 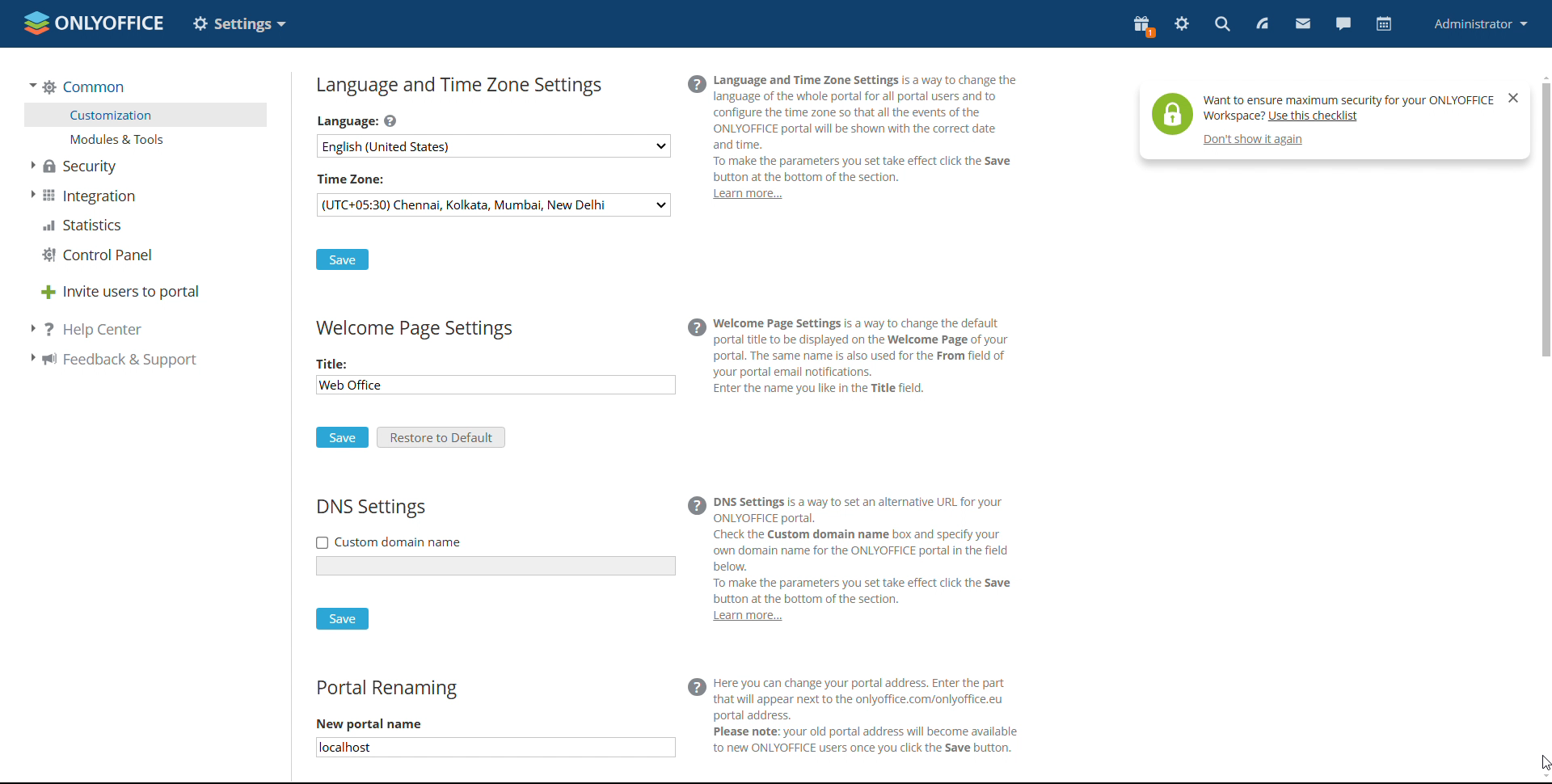 What do you see at coordinates (116, 27) in the screenshot?
I see `onlyoffice` at bounding box center [116, 27].